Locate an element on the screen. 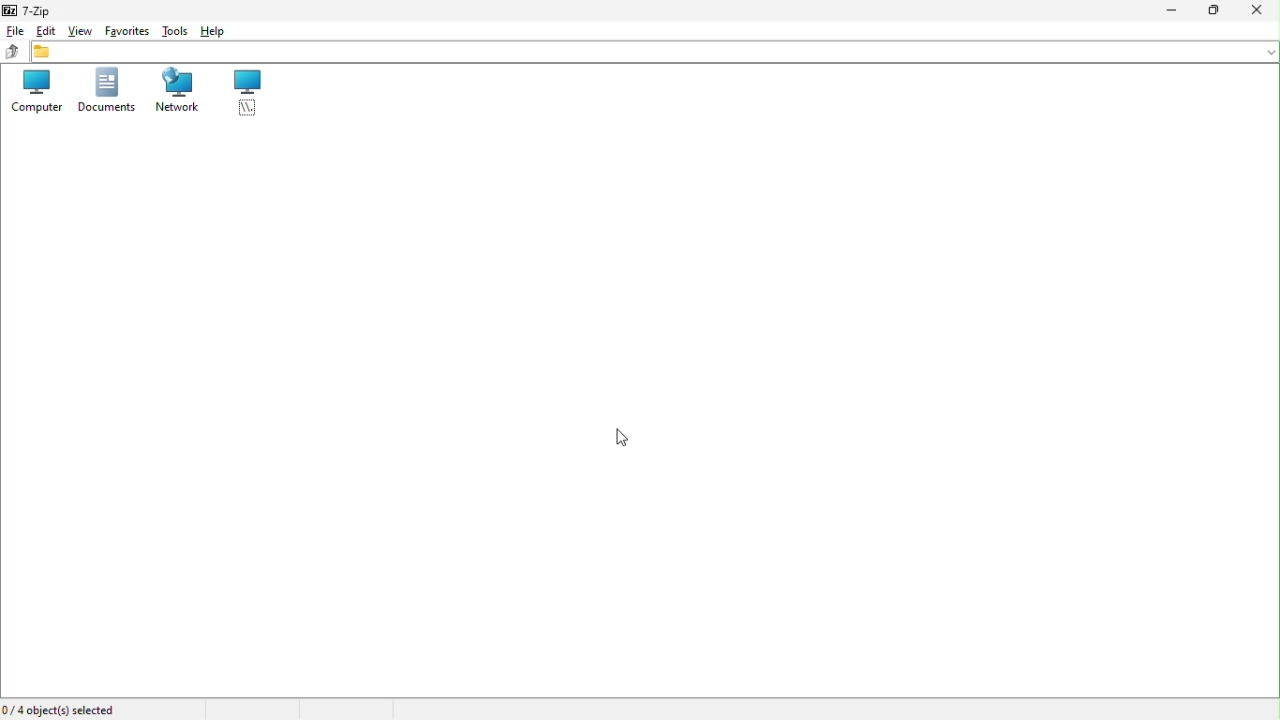 The image size is (1280, 720). Edit is located at coordinates (44, 29).